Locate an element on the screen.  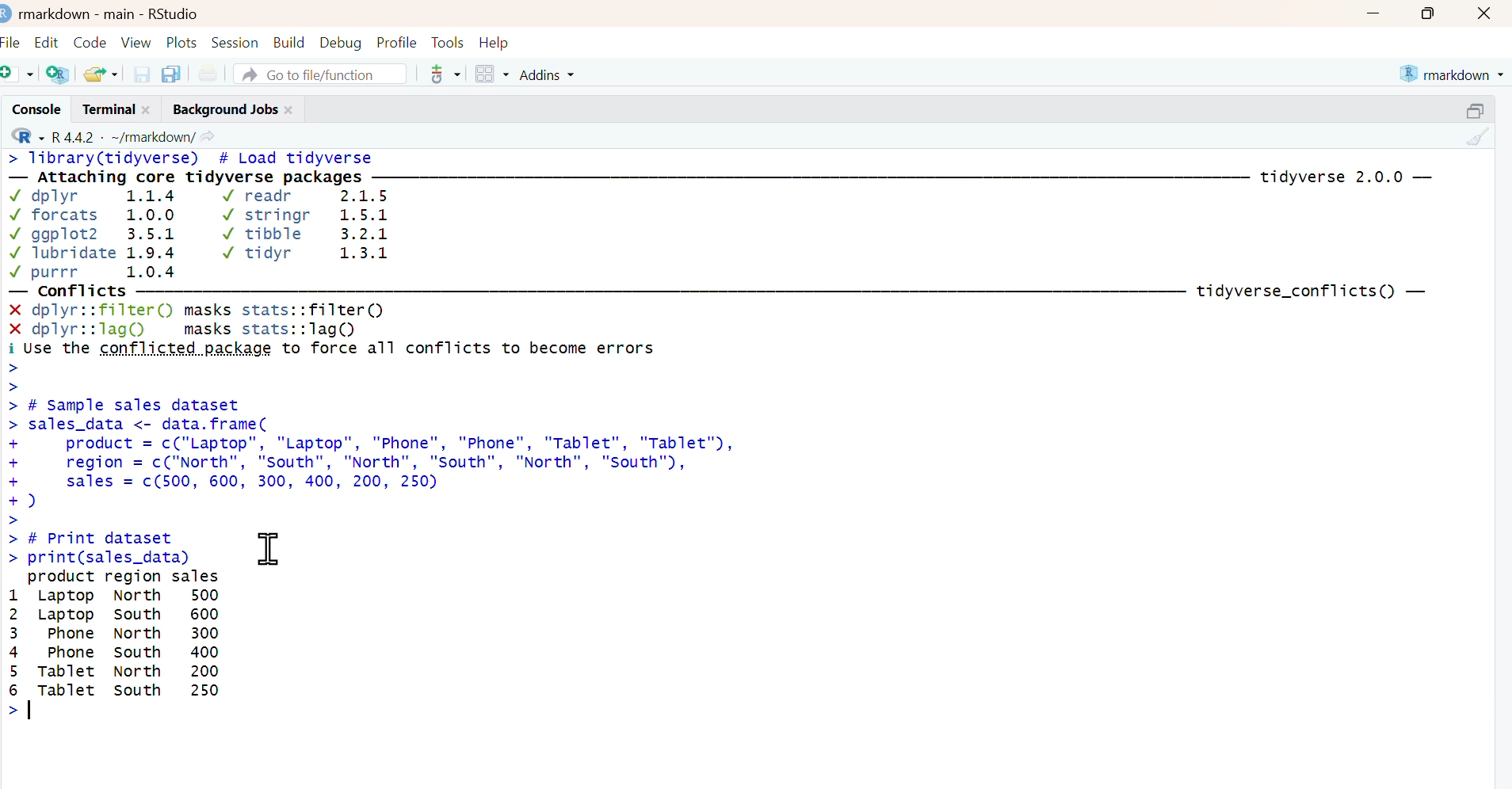
Profile is located at coordinates (396, 40).